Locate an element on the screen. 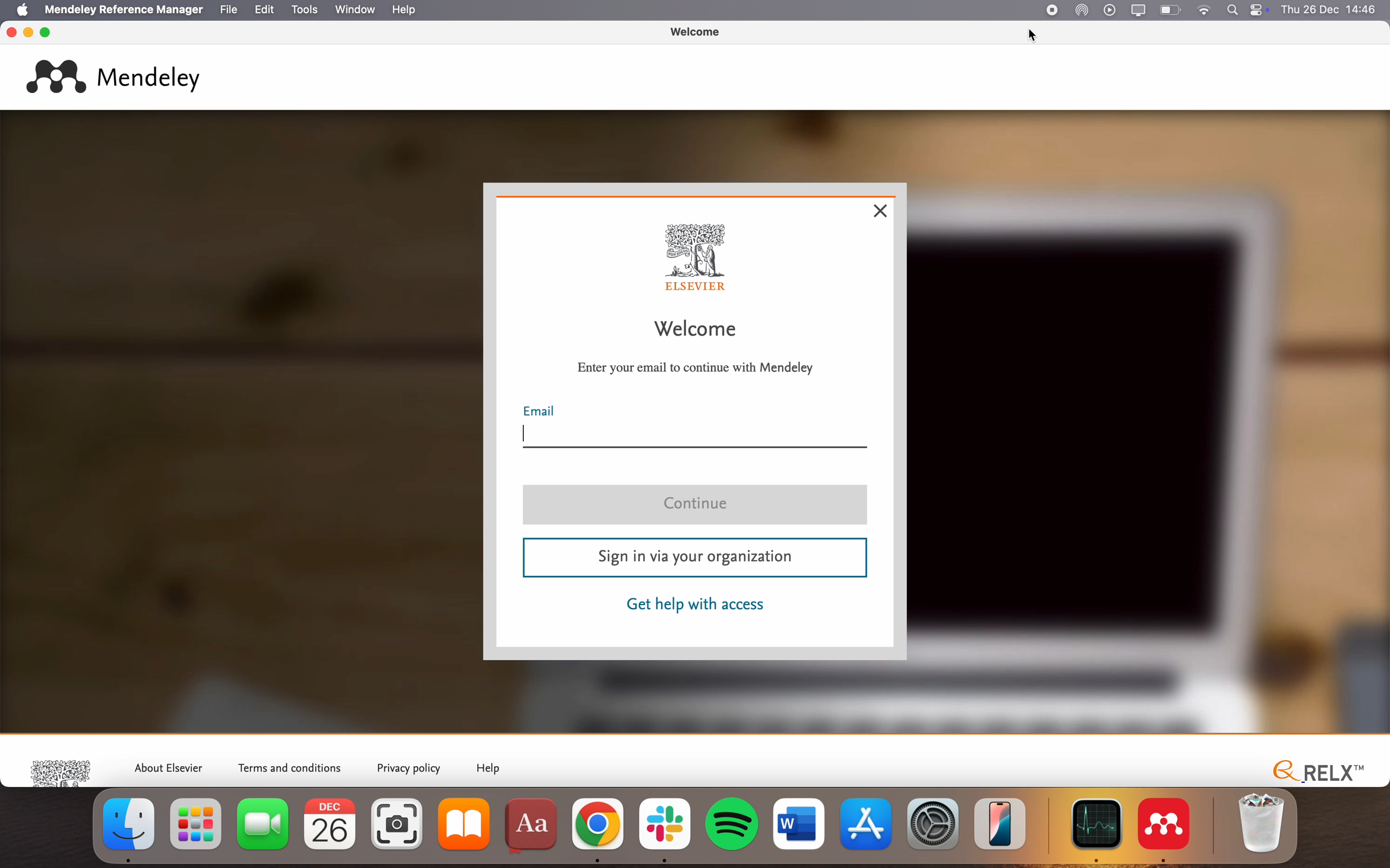 The image size is (1390, 868). screenshot is located at coordinates (400, 831).